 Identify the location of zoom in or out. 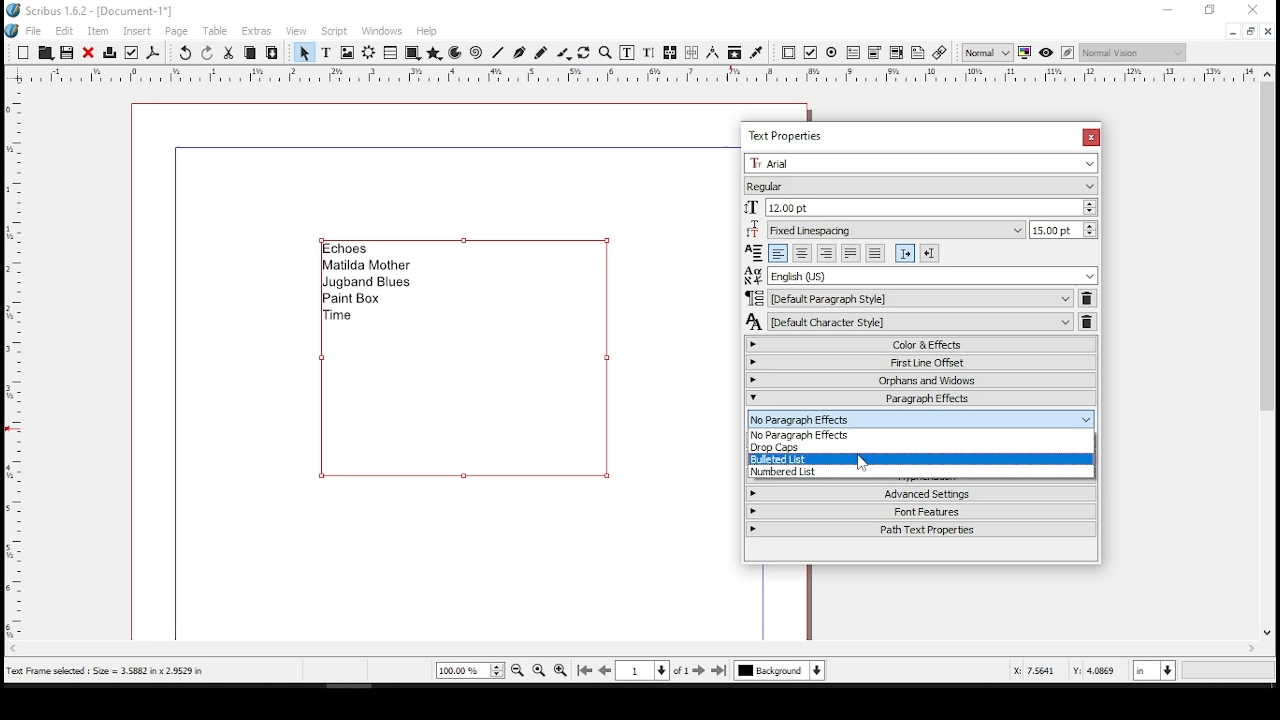
(607, 52).